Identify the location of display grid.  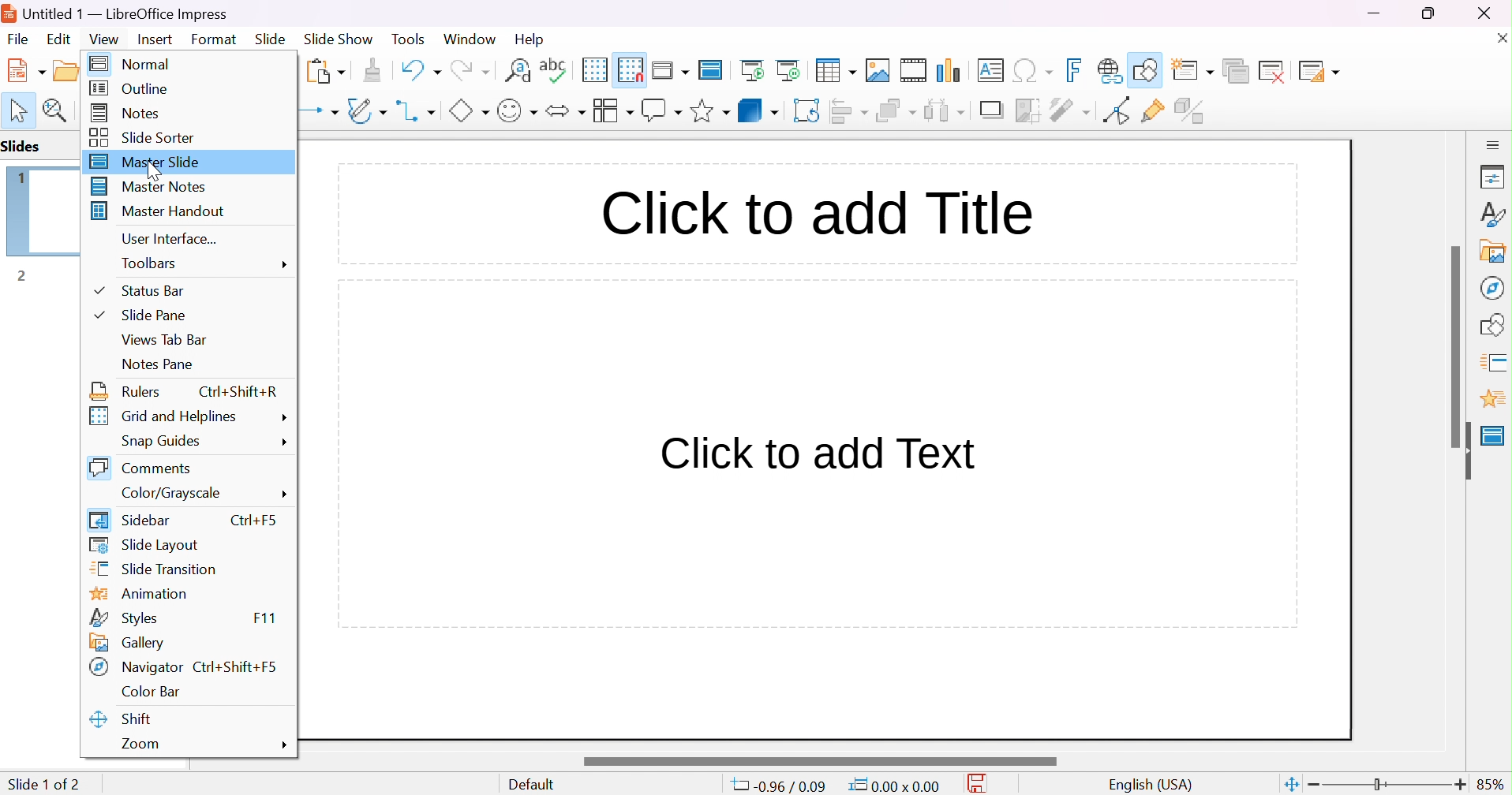
(593, 69).